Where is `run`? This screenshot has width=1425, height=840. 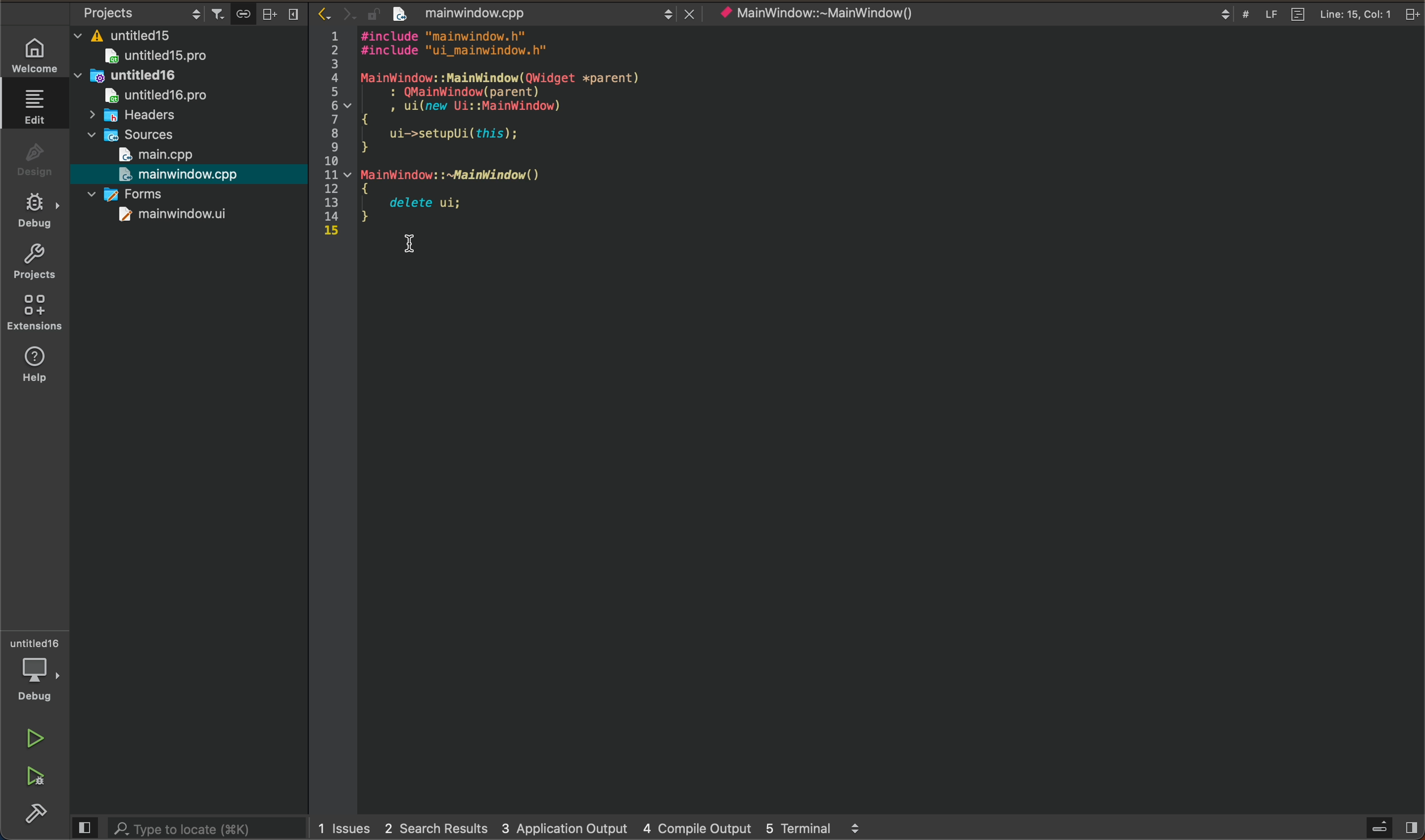
run is located at coordinates (38, 738).